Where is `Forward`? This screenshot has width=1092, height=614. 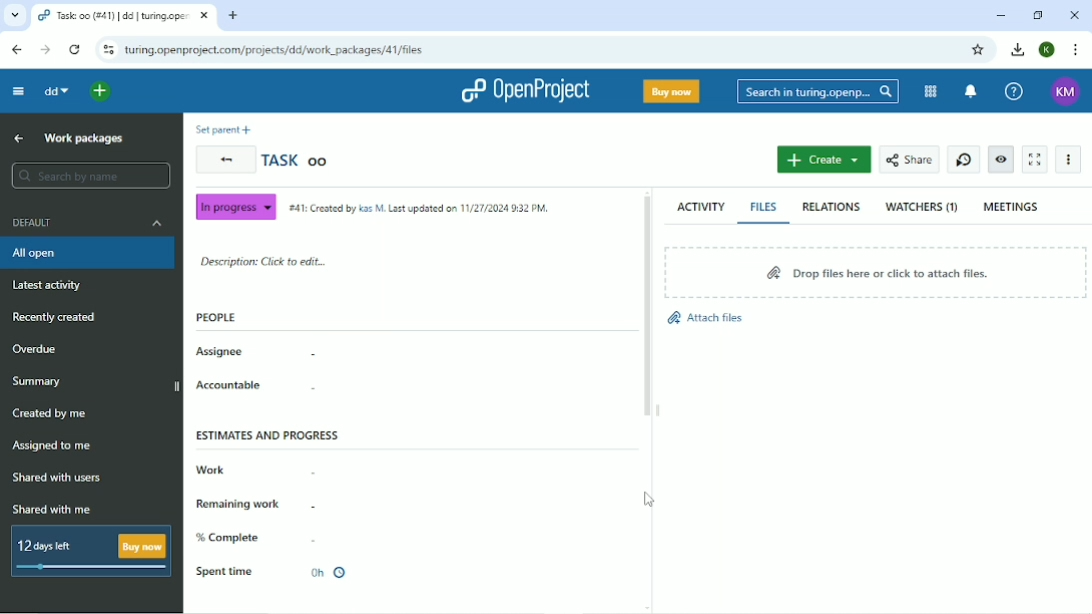 Forward is located at coordinates (45, 50).